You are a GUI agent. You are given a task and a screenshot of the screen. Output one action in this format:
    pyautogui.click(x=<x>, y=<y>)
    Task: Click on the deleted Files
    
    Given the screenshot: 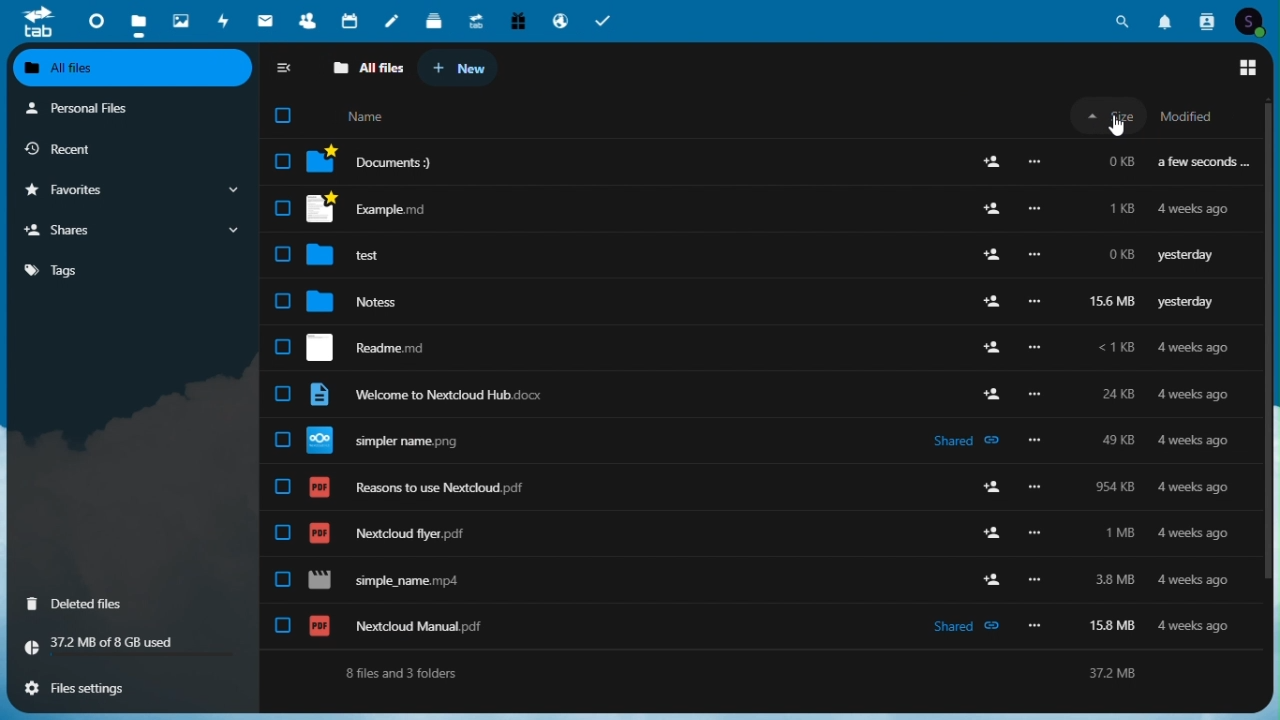 What is the action you would take?
    pyautogui.click(x=118, y=605)
    